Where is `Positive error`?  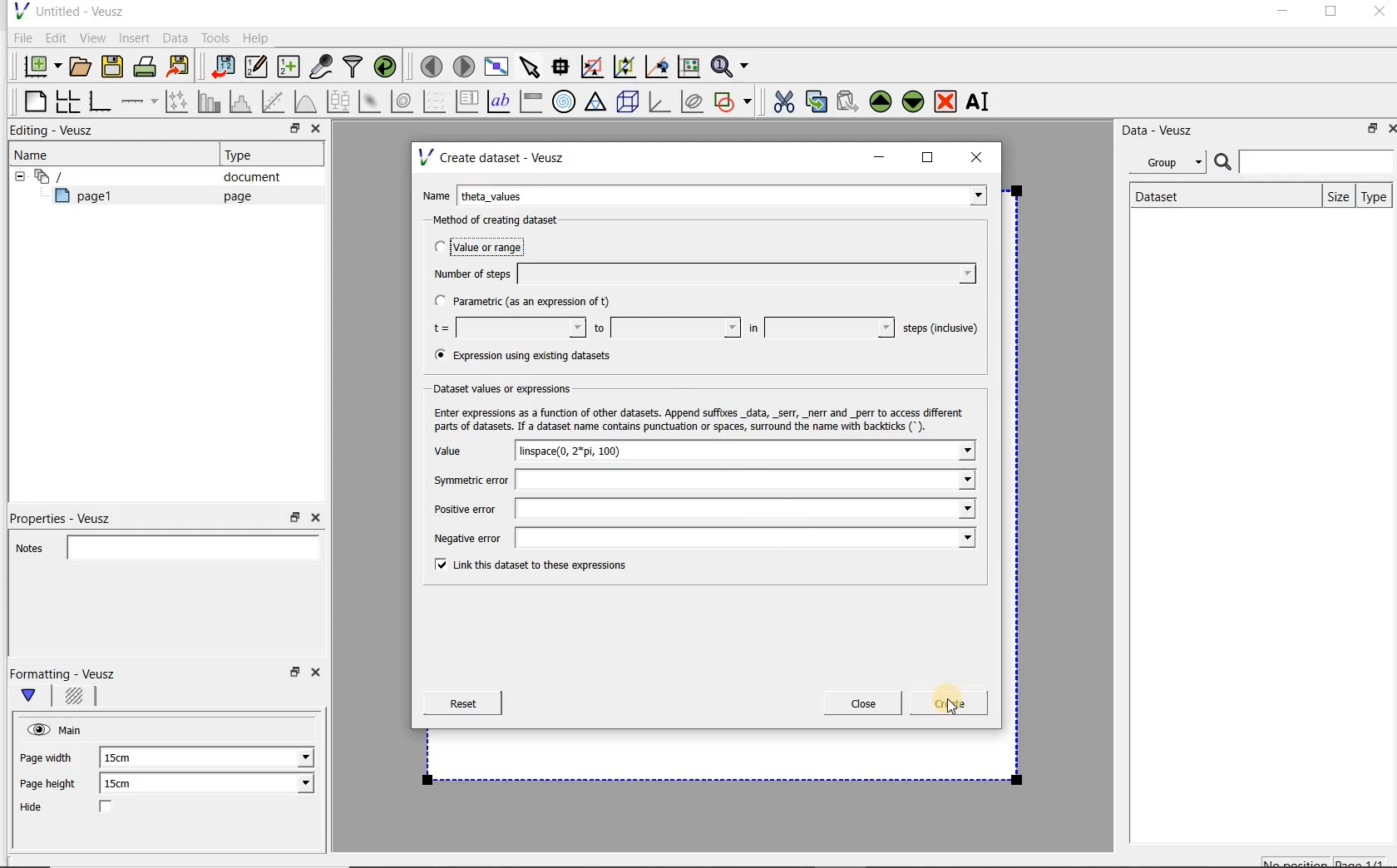
Positive error is located at coordinates (698, 509).